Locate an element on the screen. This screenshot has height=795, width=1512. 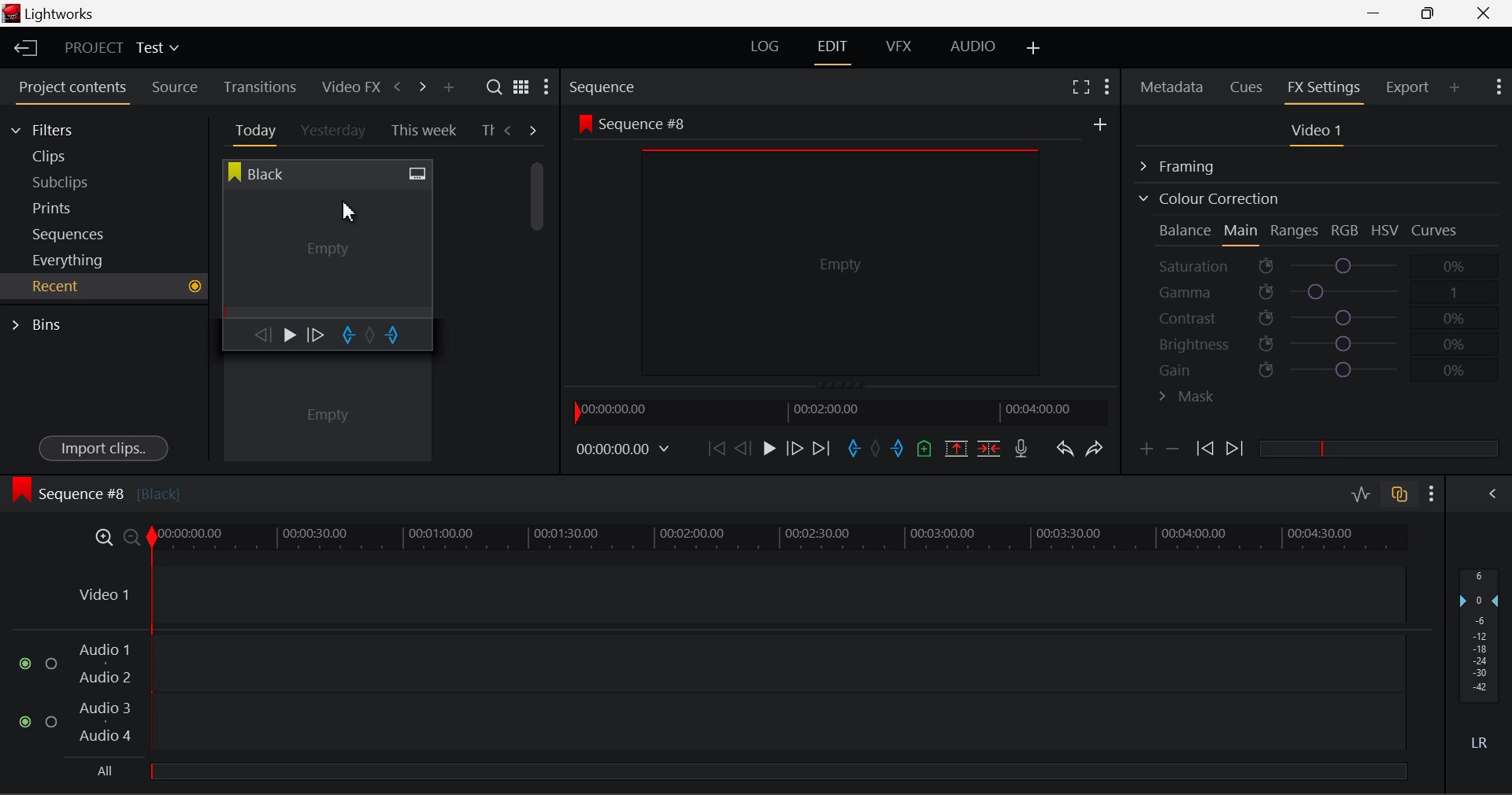
Go Back is located at coordinates (745, 447).